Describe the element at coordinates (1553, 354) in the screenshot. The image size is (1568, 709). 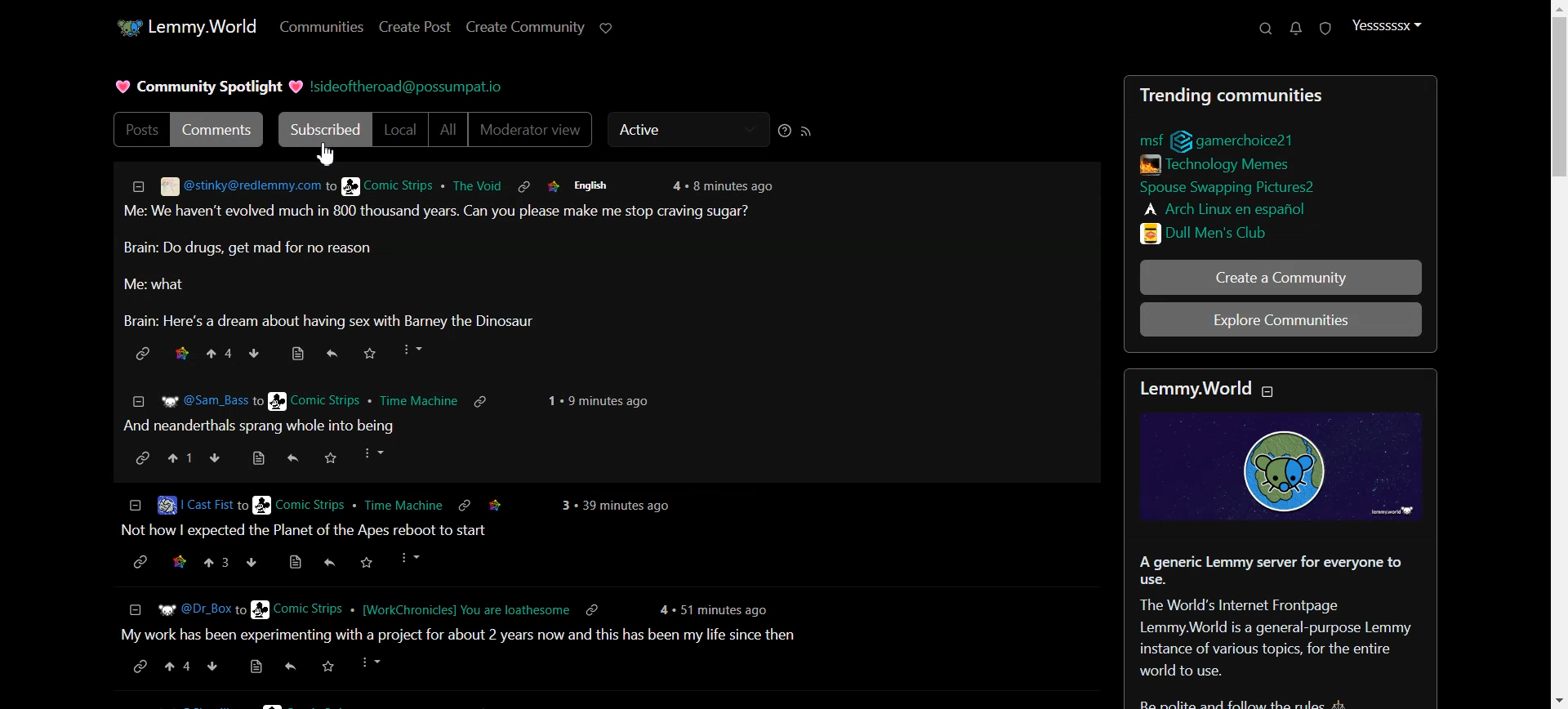
I see `Scroll bar` at that location.